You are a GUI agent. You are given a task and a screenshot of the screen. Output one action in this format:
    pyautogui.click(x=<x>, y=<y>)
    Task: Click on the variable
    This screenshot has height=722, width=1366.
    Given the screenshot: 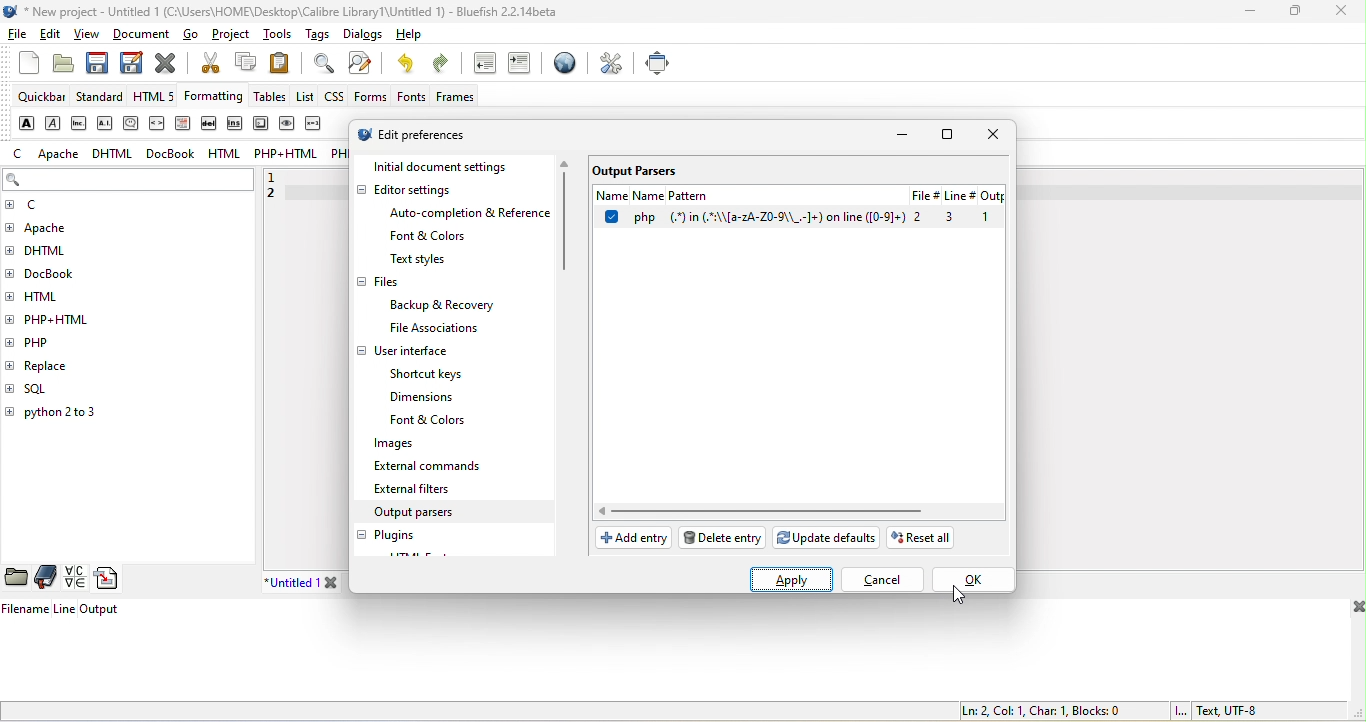 What is the action you would take?
    pyautogui.click(x=316, y=124)
    